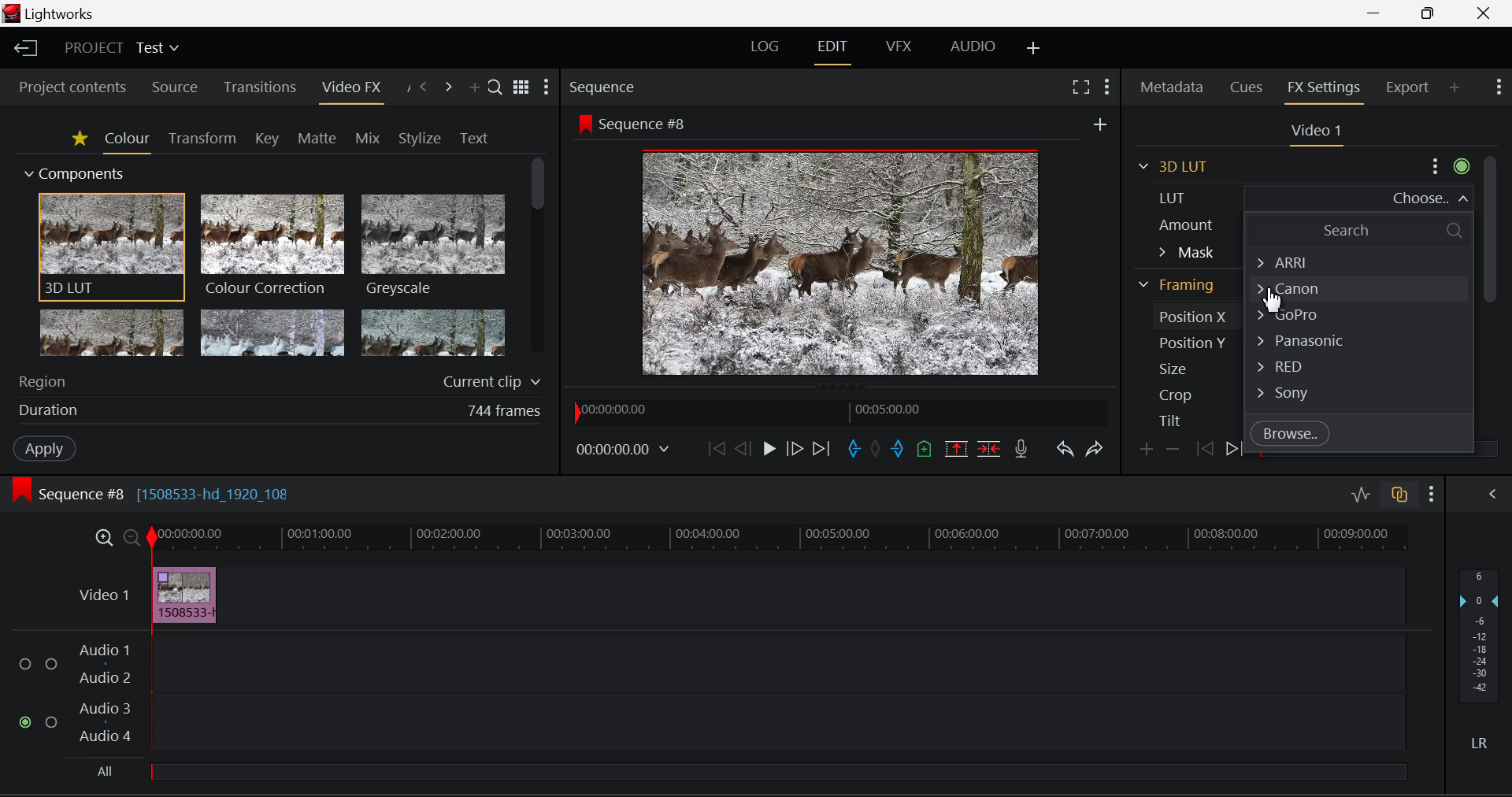 The height and width of the screenshot is (797, 1512). I want to click on Close, so click(1489, 13).